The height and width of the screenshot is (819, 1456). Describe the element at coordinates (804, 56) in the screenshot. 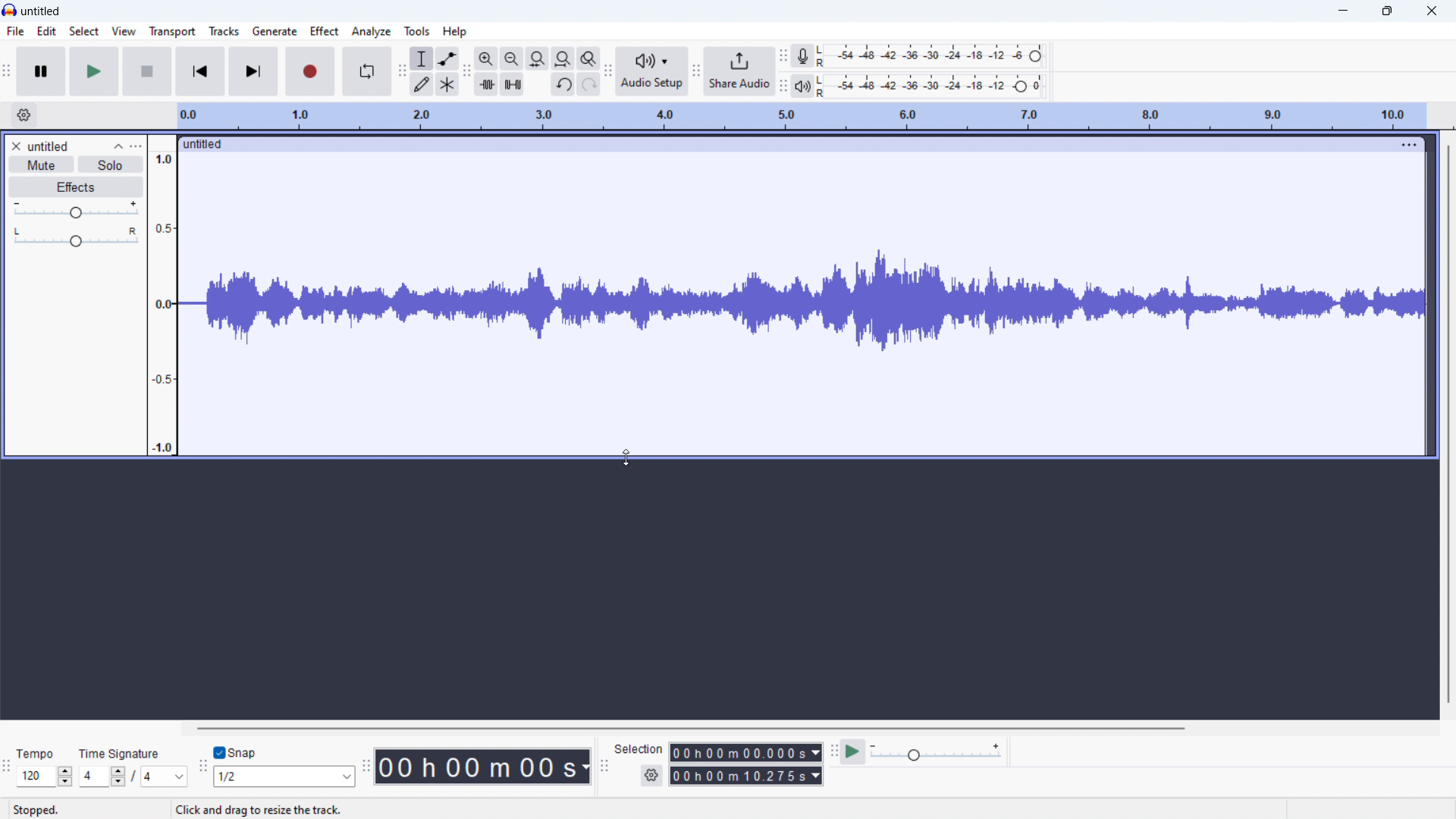

I see `recording meter` at that location.